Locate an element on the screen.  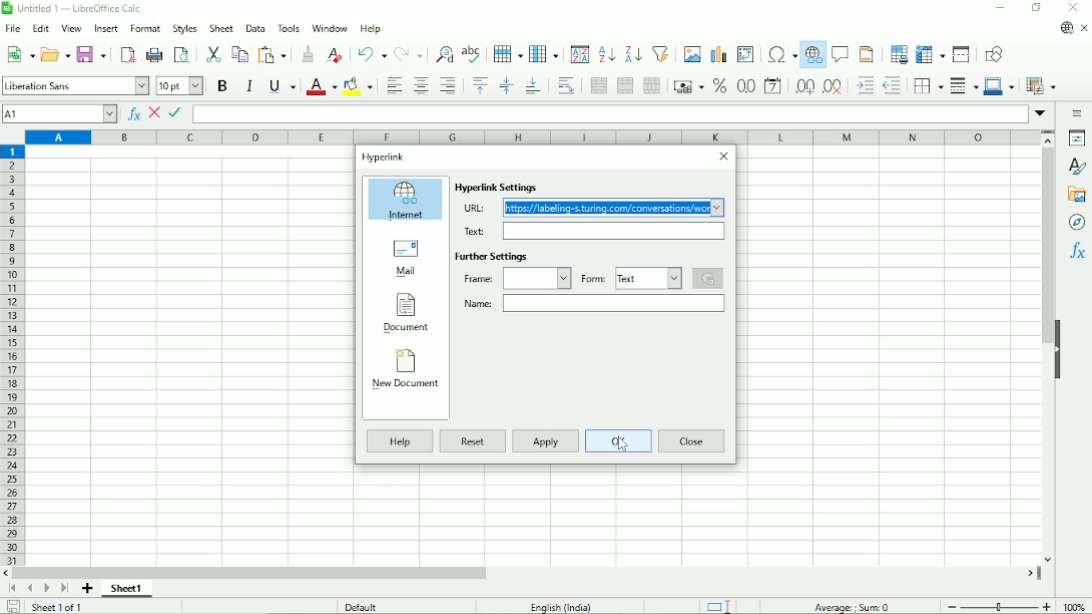
Navigator is located at coordinates (1077, 222).